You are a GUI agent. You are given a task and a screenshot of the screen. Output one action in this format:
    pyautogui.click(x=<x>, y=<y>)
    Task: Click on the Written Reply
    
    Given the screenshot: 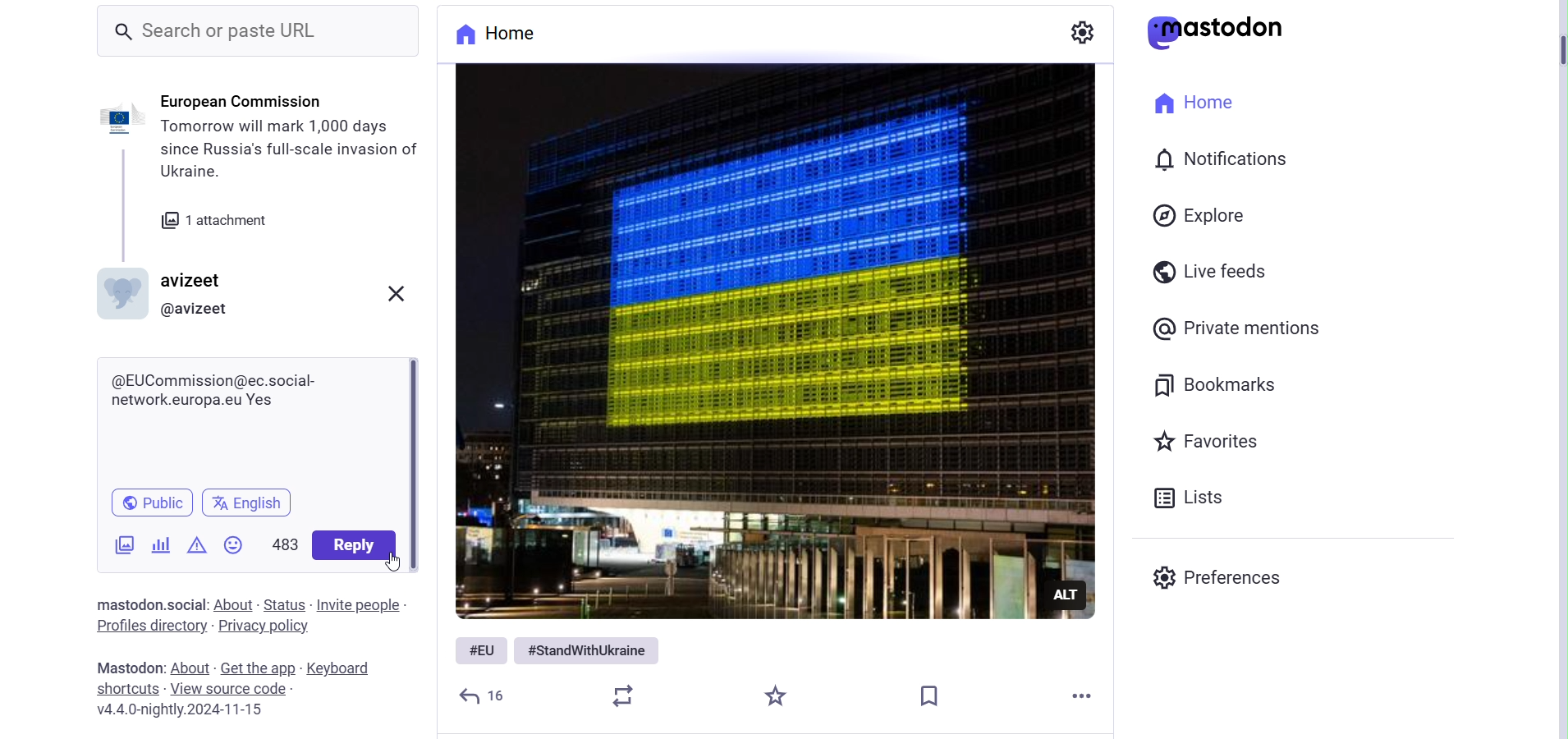 What is the action you would take?
    pyautogui.click(x=263, y=398)
    